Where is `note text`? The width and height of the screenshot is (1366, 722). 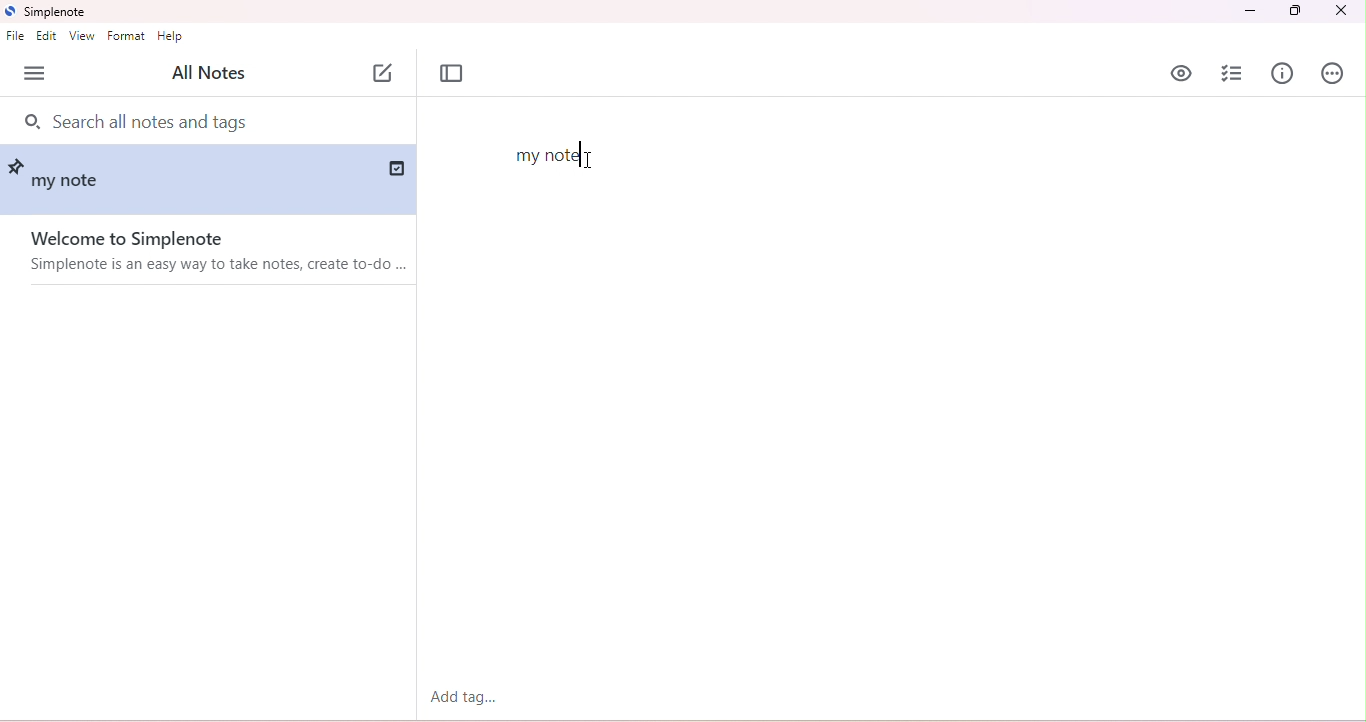
note text is located at coordinates (550, 158).